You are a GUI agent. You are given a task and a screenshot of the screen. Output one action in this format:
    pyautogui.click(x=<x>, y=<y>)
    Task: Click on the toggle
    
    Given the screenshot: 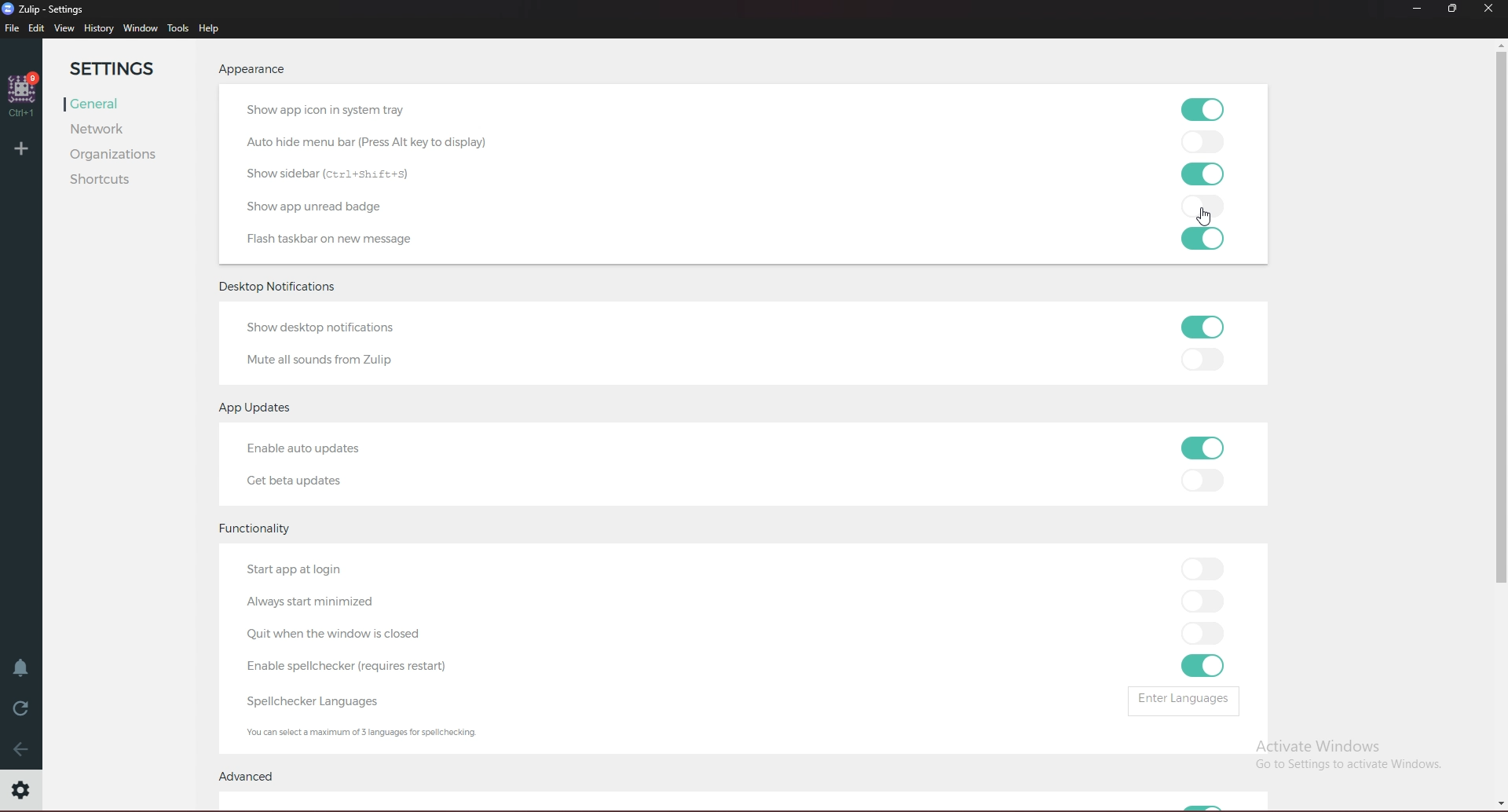 What is the action you would take?
    pyautogui.click(x=1209, y=360)
    